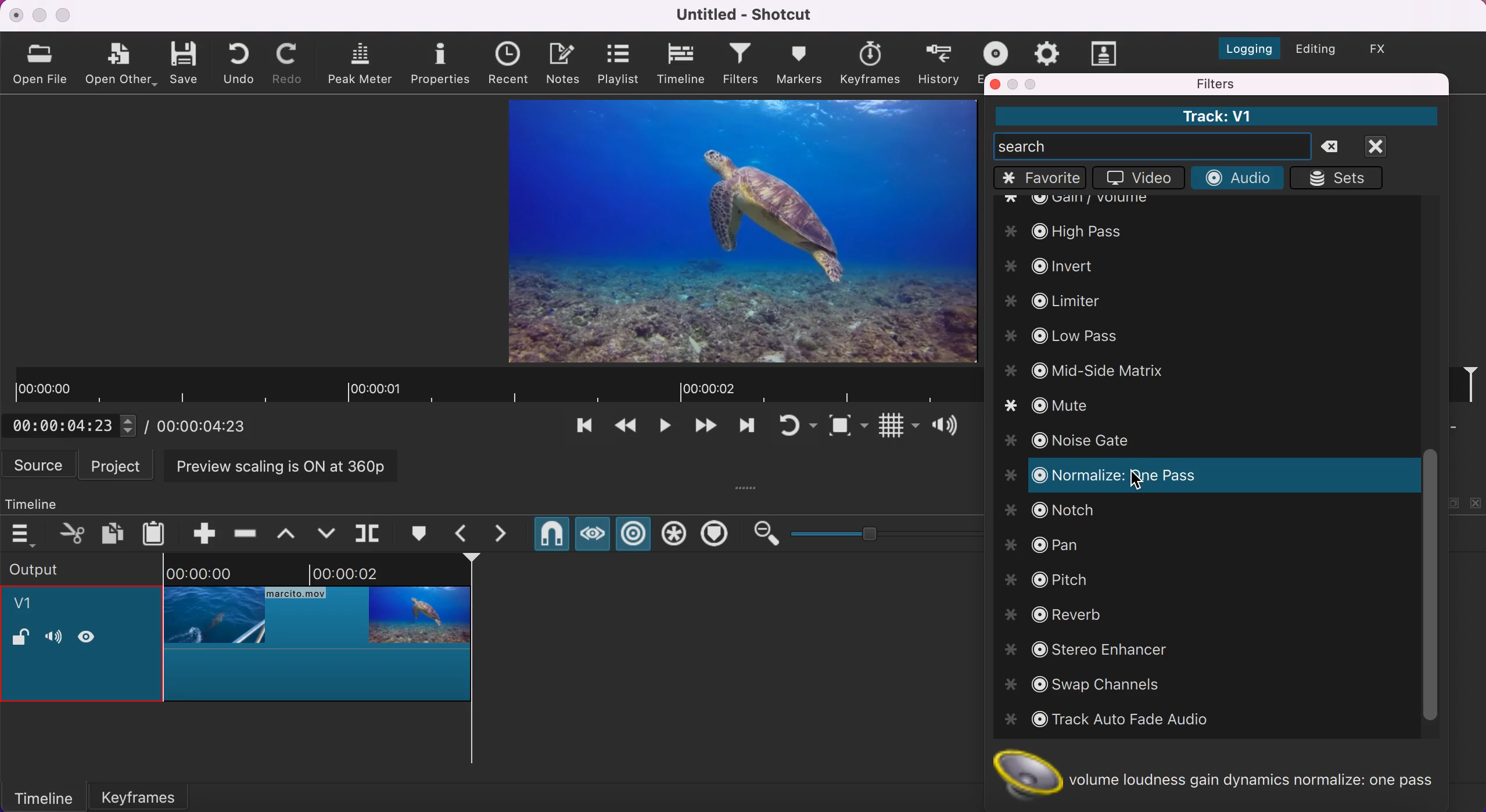 The width and height of the screenshot is (1486, 812). I want to click on switch to the effects layout, so click(1387, 49).